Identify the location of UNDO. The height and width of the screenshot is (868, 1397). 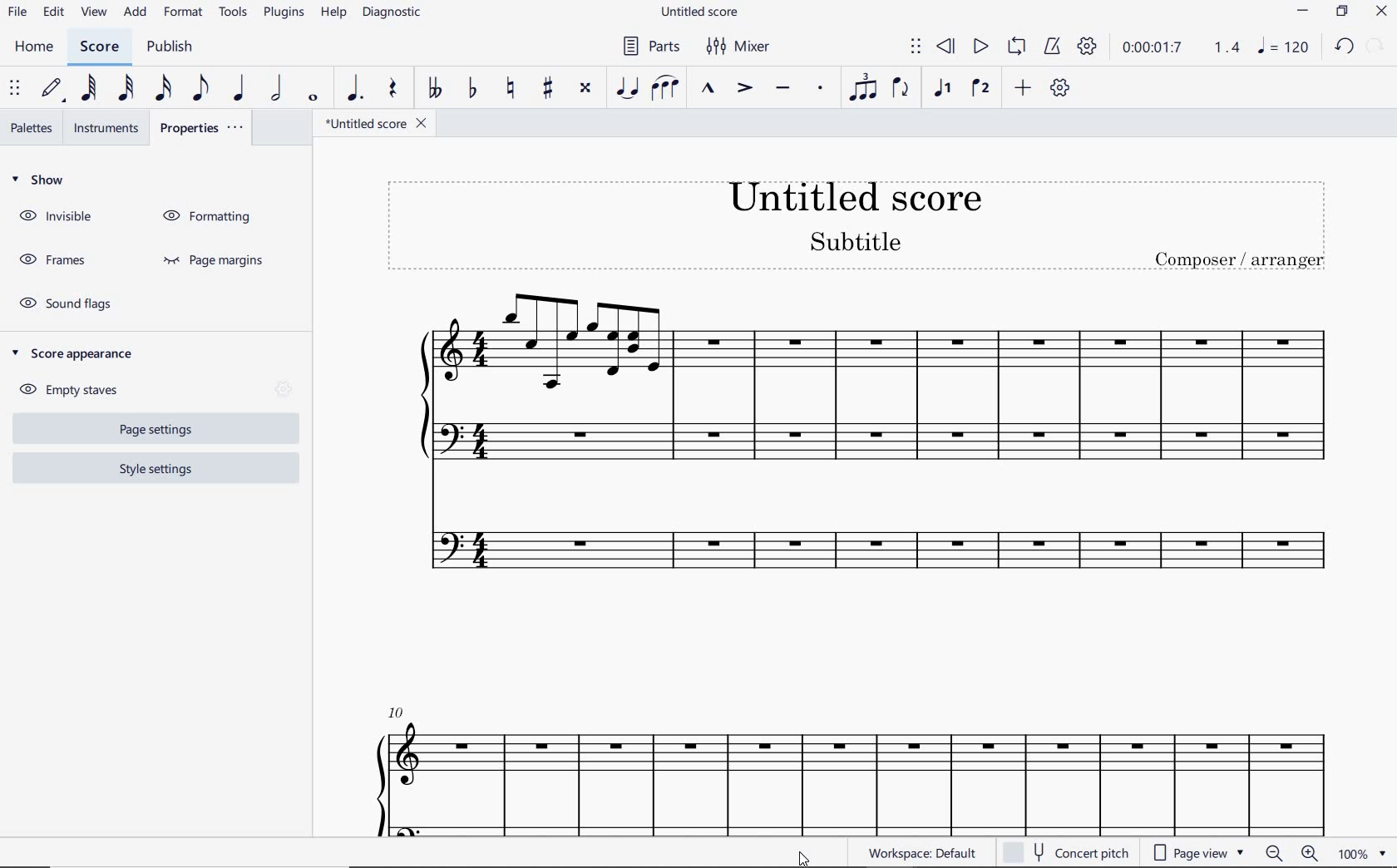
(1344, 45).